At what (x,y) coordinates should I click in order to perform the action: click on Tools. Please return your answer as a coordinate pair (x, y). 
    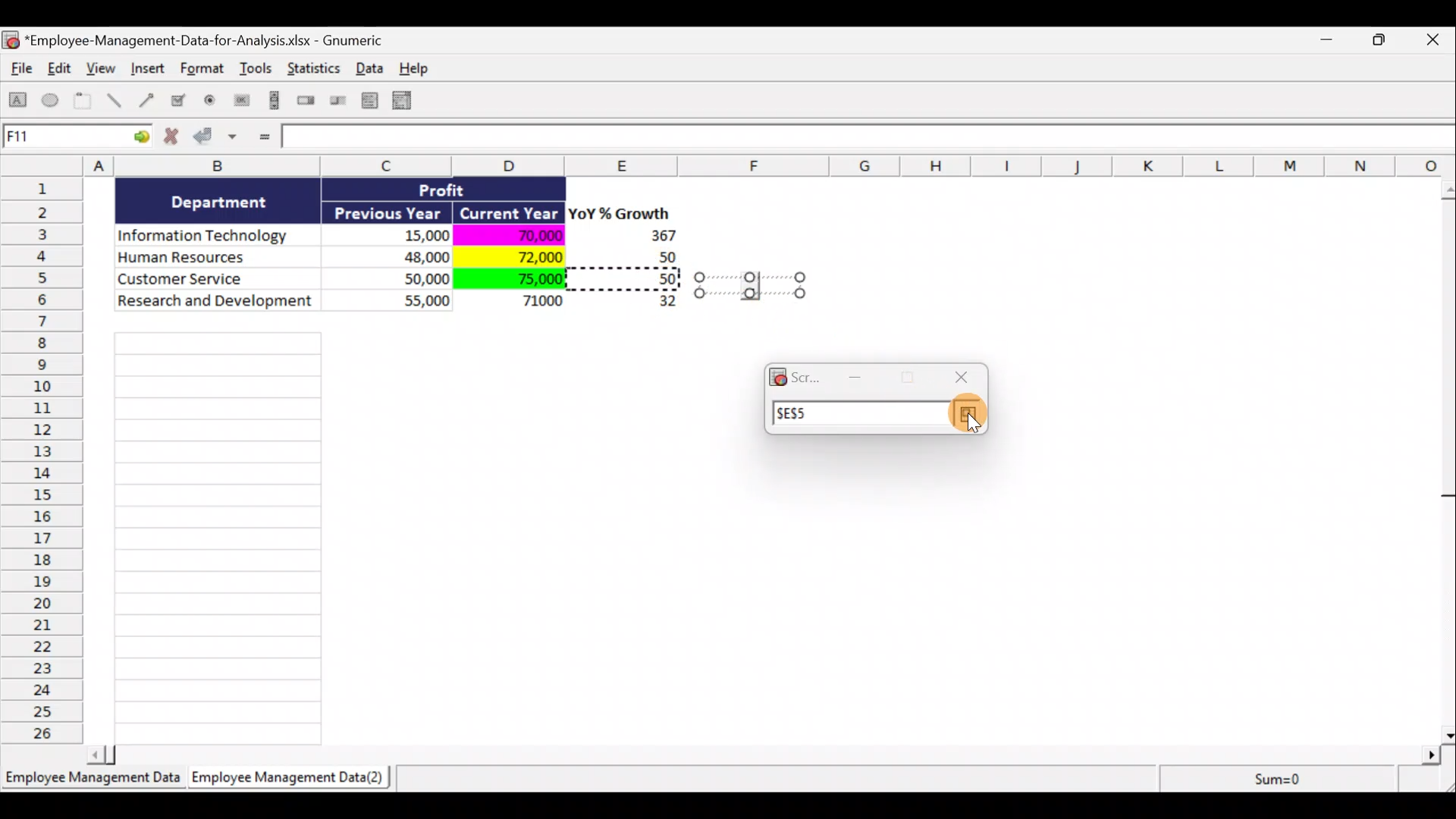
    Looking at the image, I should click on (258, 71).